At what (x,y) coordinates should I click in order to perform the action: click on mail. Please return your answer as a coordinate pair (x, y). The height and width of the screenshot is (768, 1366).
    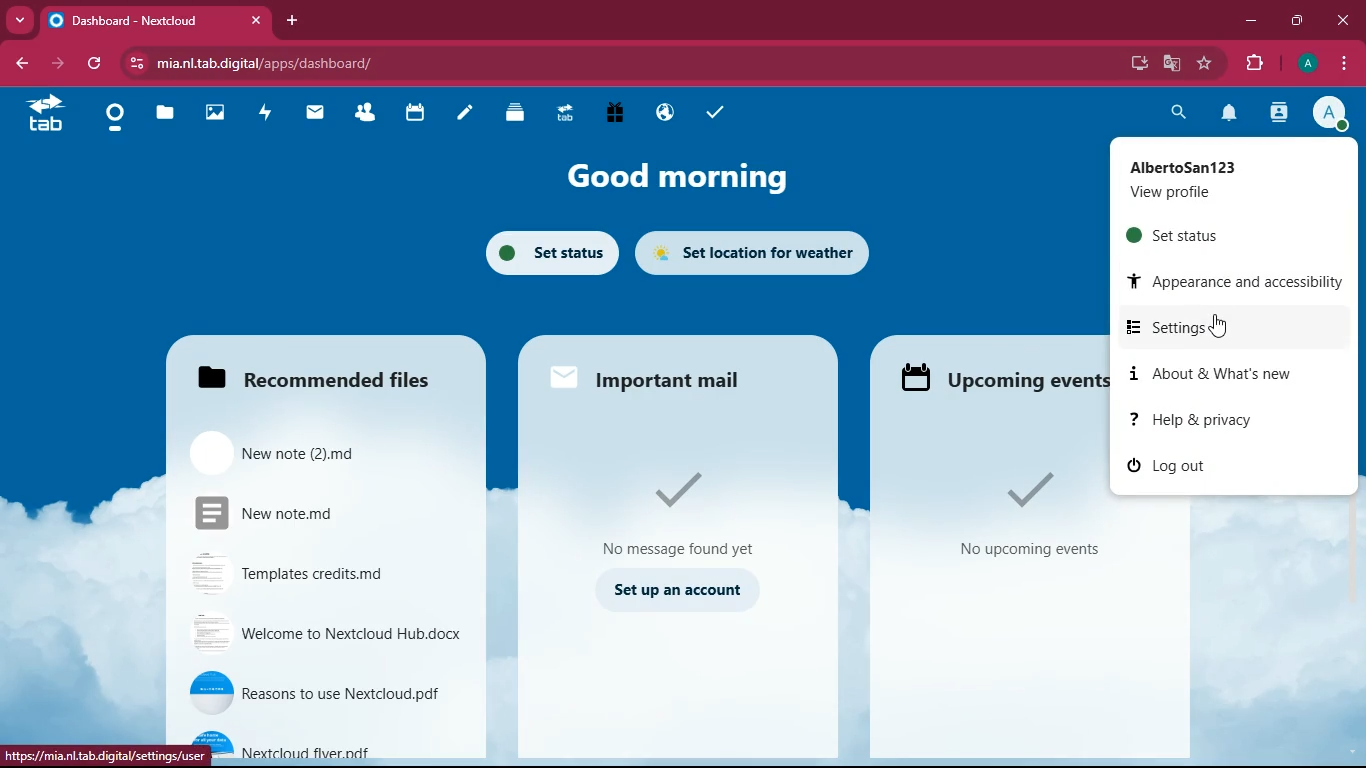
    Looking at the image, I should click on (315, 112).